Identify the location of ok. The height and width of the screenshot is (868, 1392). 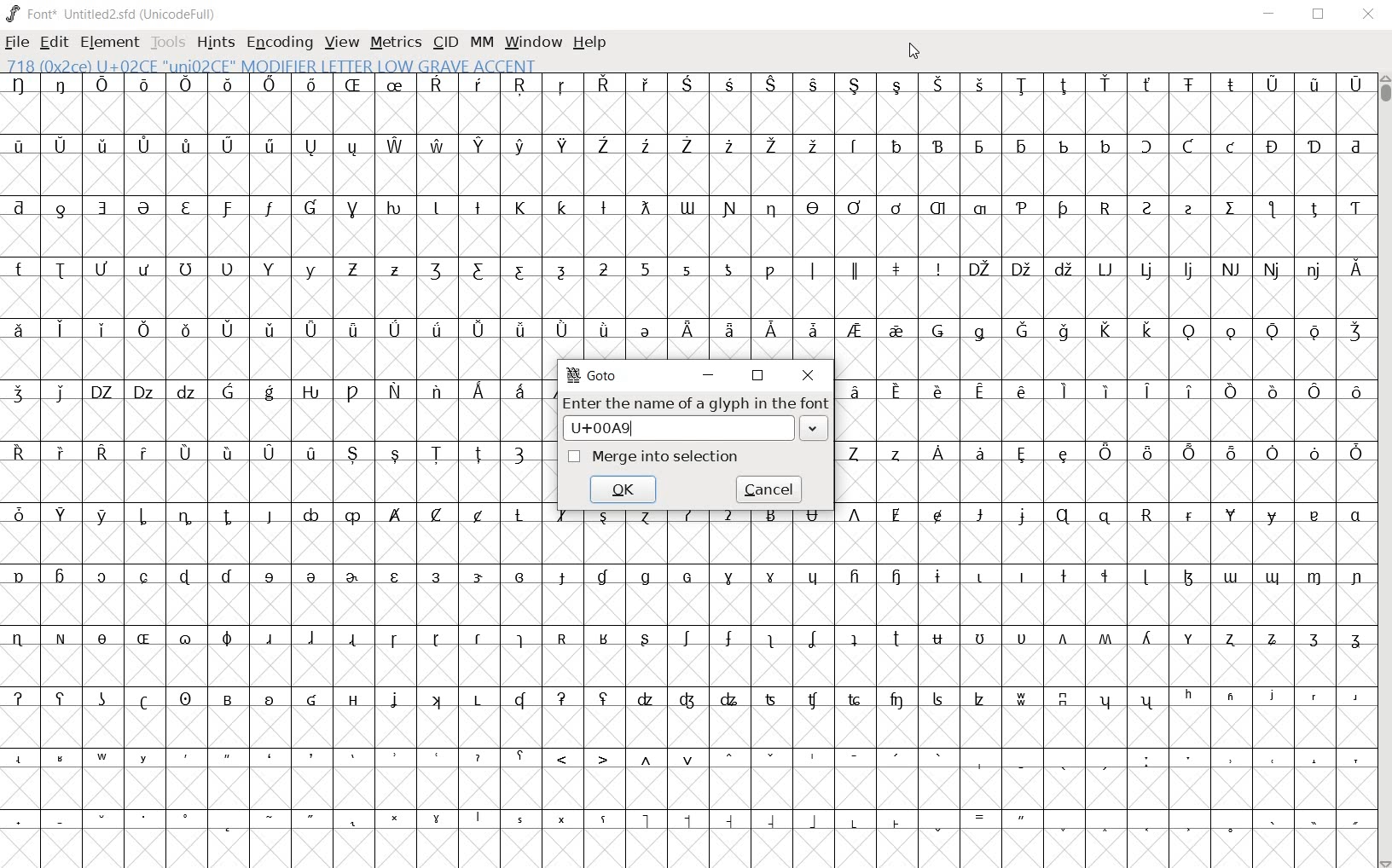
(624, 488).